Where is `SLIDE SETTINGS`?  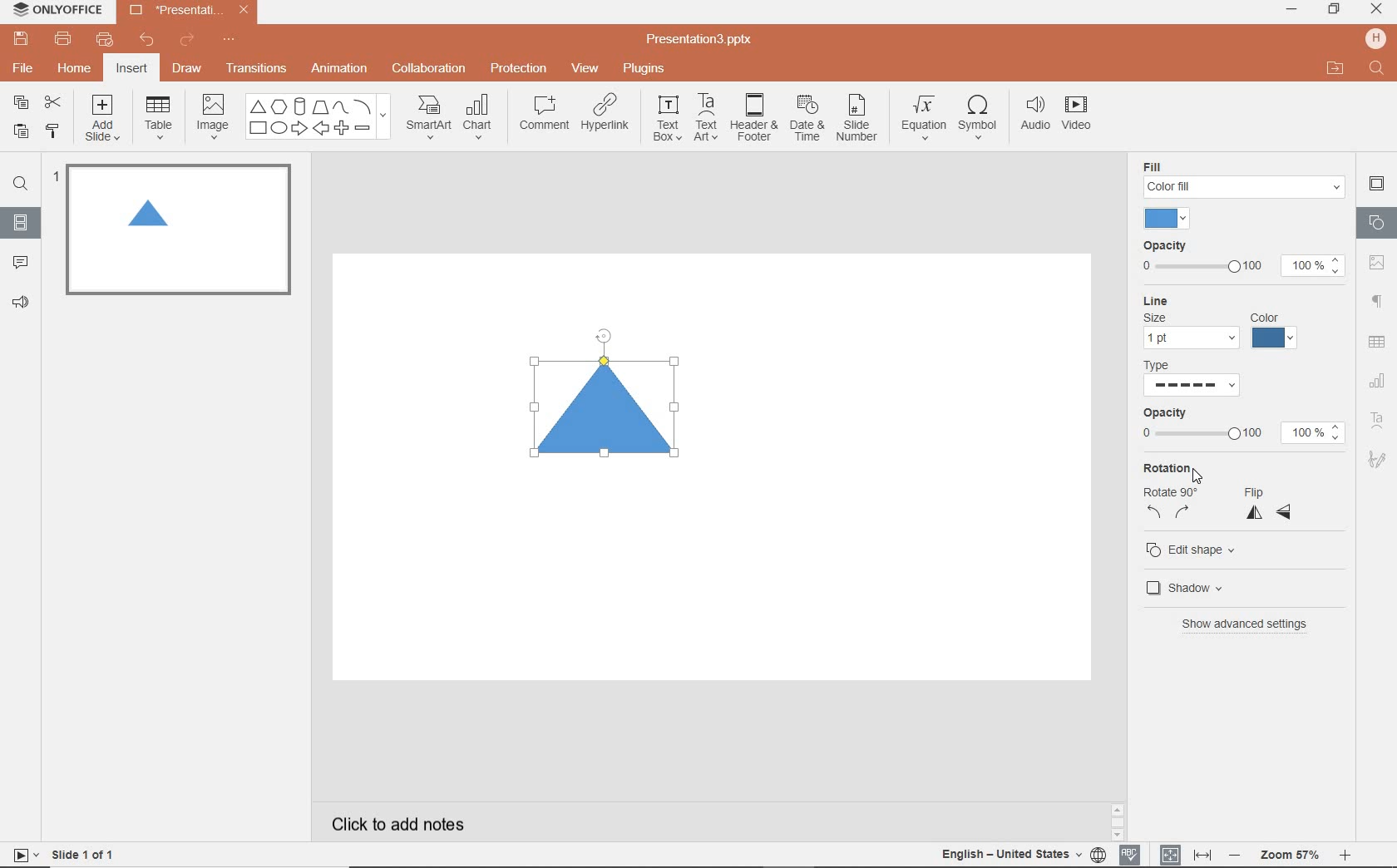
SLIDE SETTINGS is located at coordinates (1377, 185).